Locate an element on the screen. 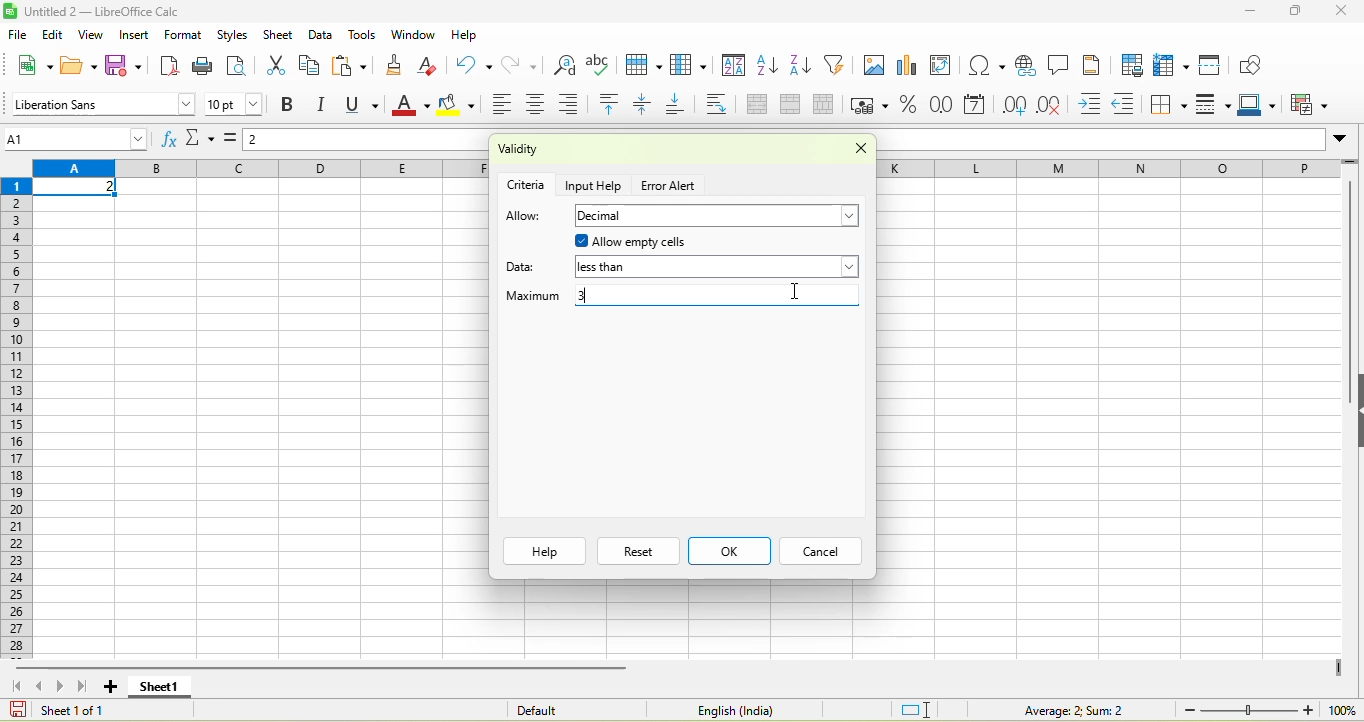 The image size is (1364, 722). undo is located at coordinates (473, 64).